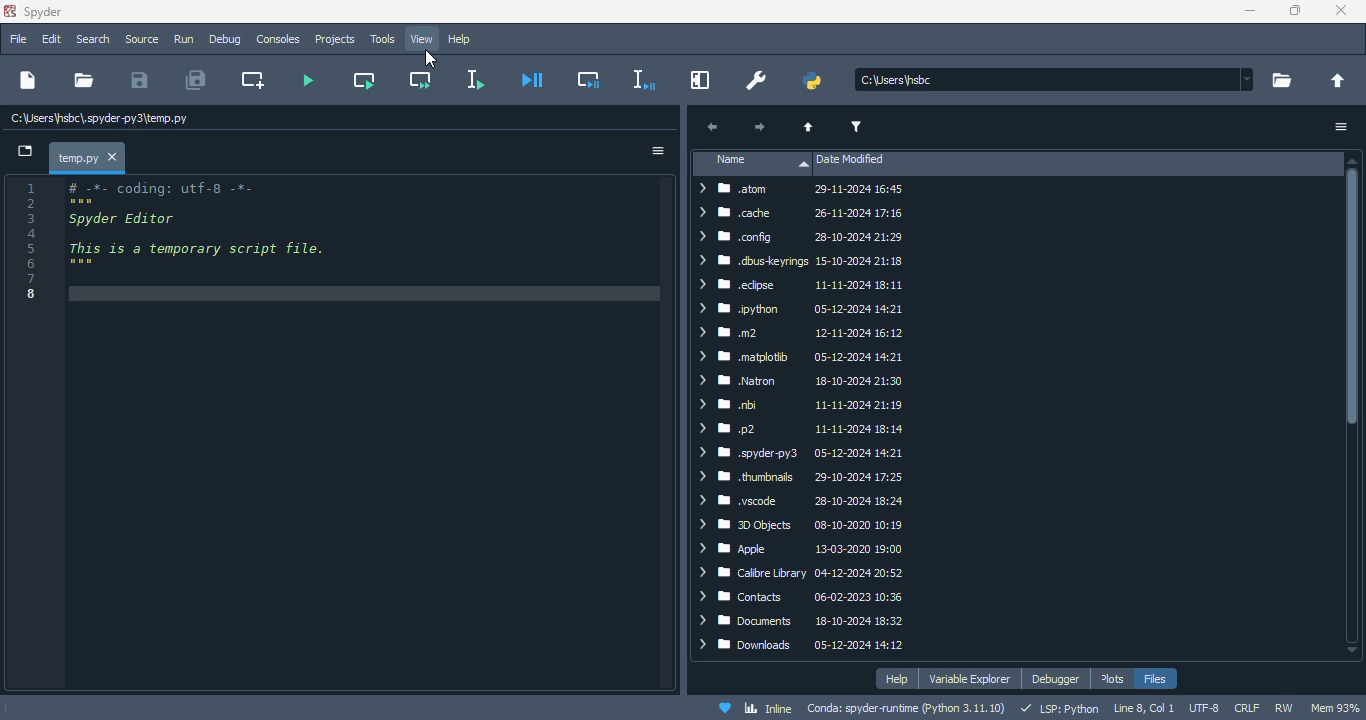 This screenshot has height=720, width=1366. What do you see at coordinates (92, 38) in the screenshot?
I see `search` at bounding box center [92, 38].